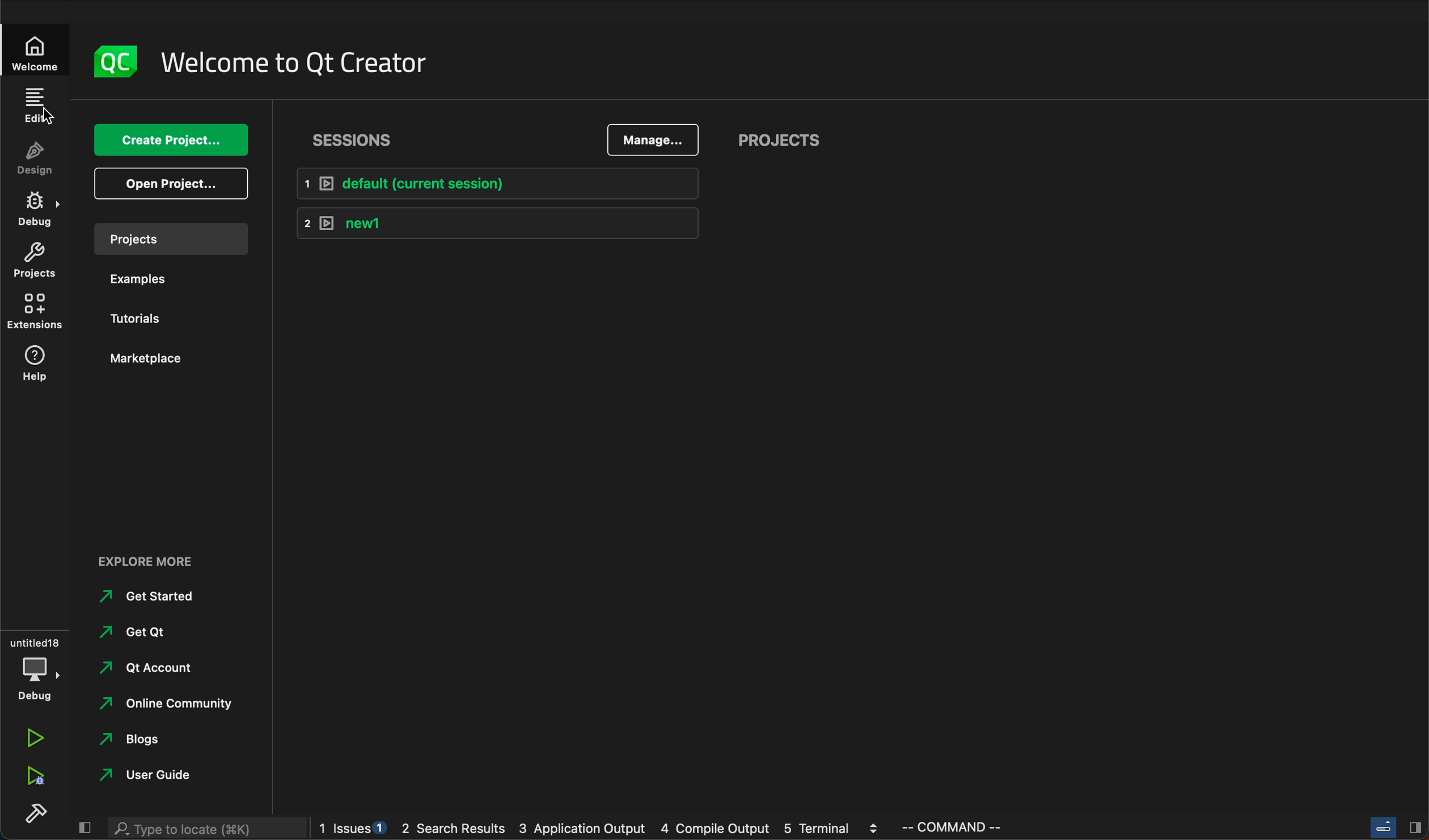  Describe the element at coordinates (37, 103) in the screenshot. I see `edit` at that location.